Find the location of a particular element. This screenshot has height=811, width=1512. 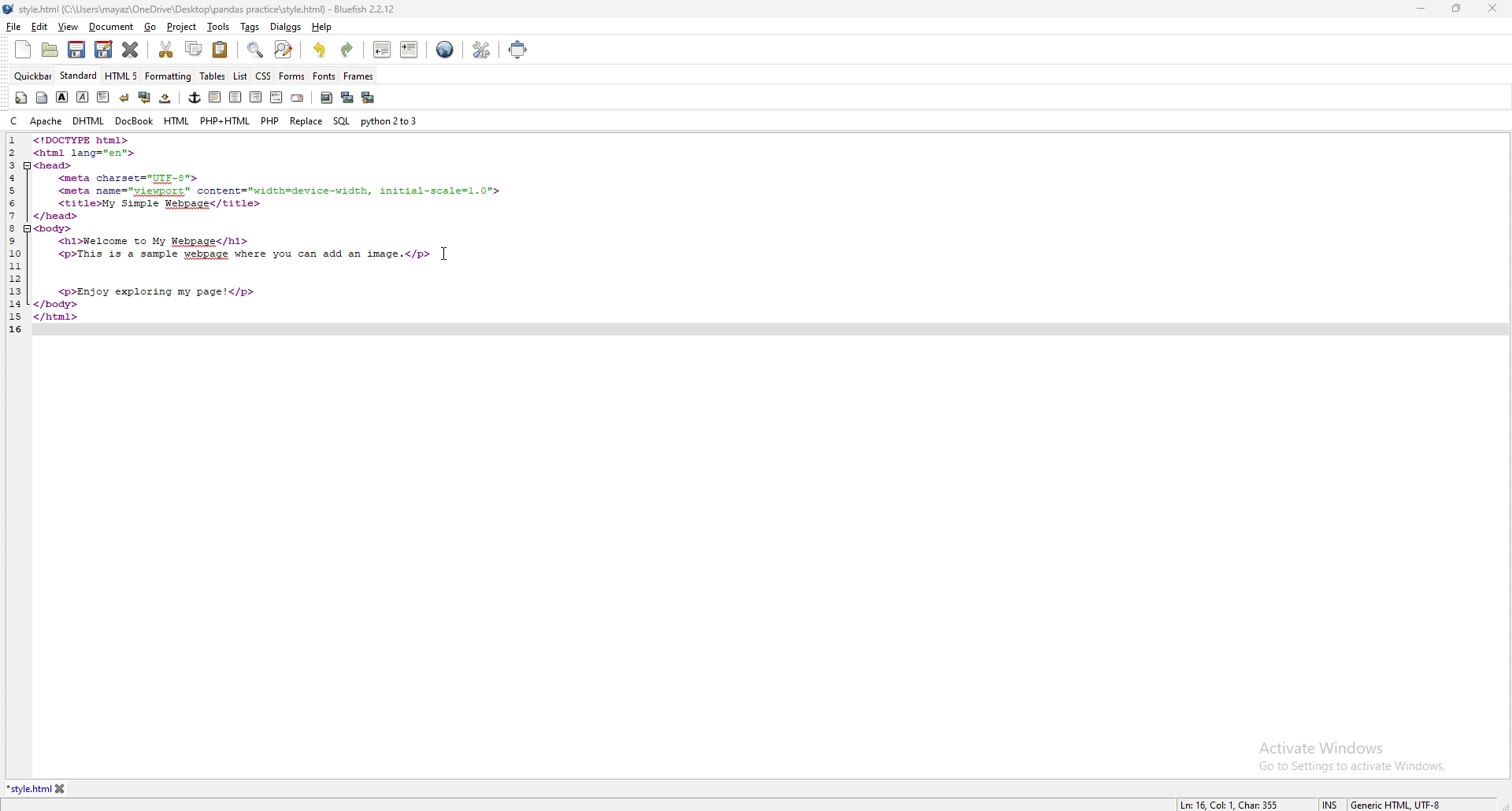

forms is located at coordinates (291, 76).